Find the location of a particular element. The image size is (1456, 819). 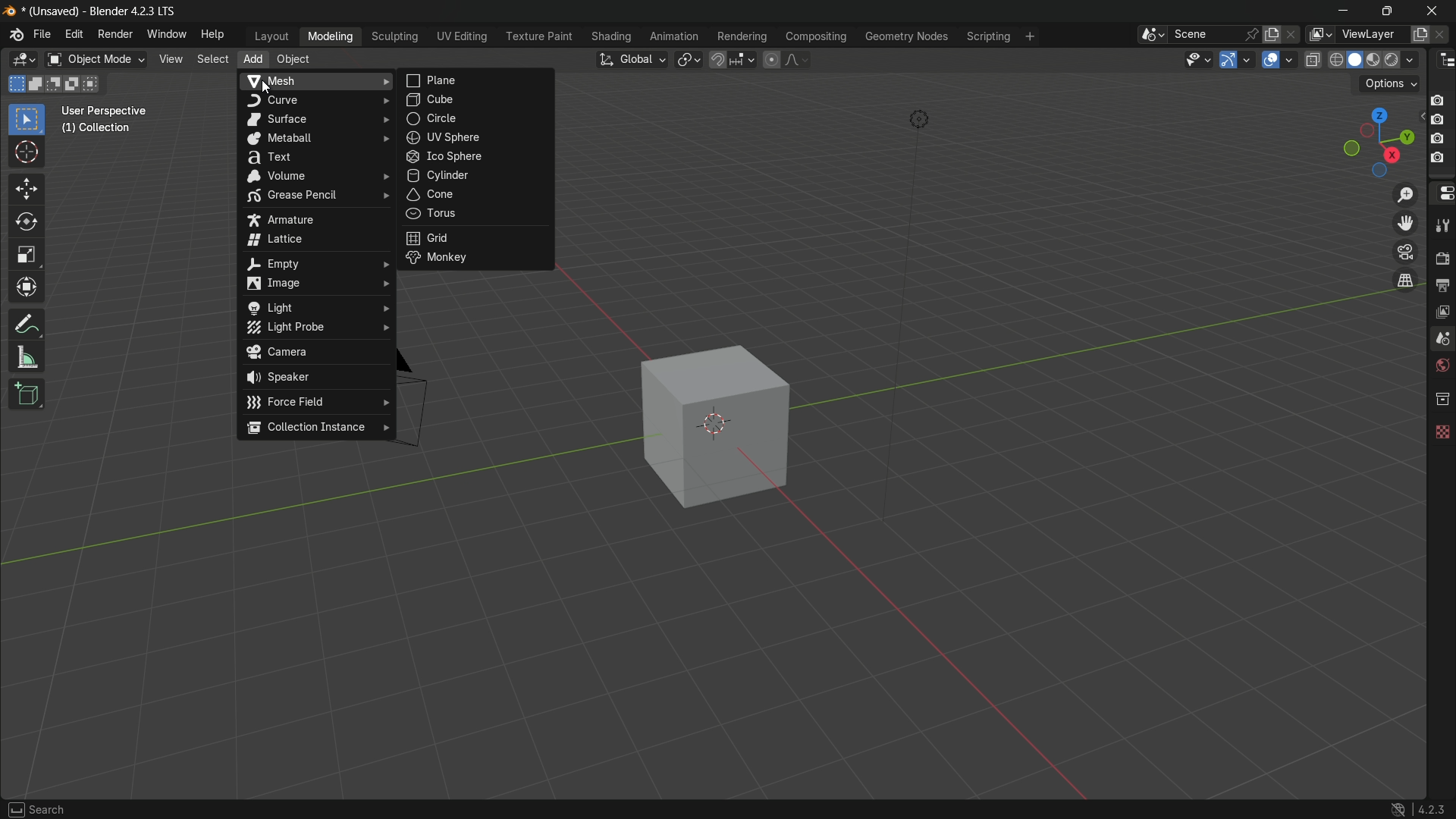

show overlays is located at coordinates (1291, 60).